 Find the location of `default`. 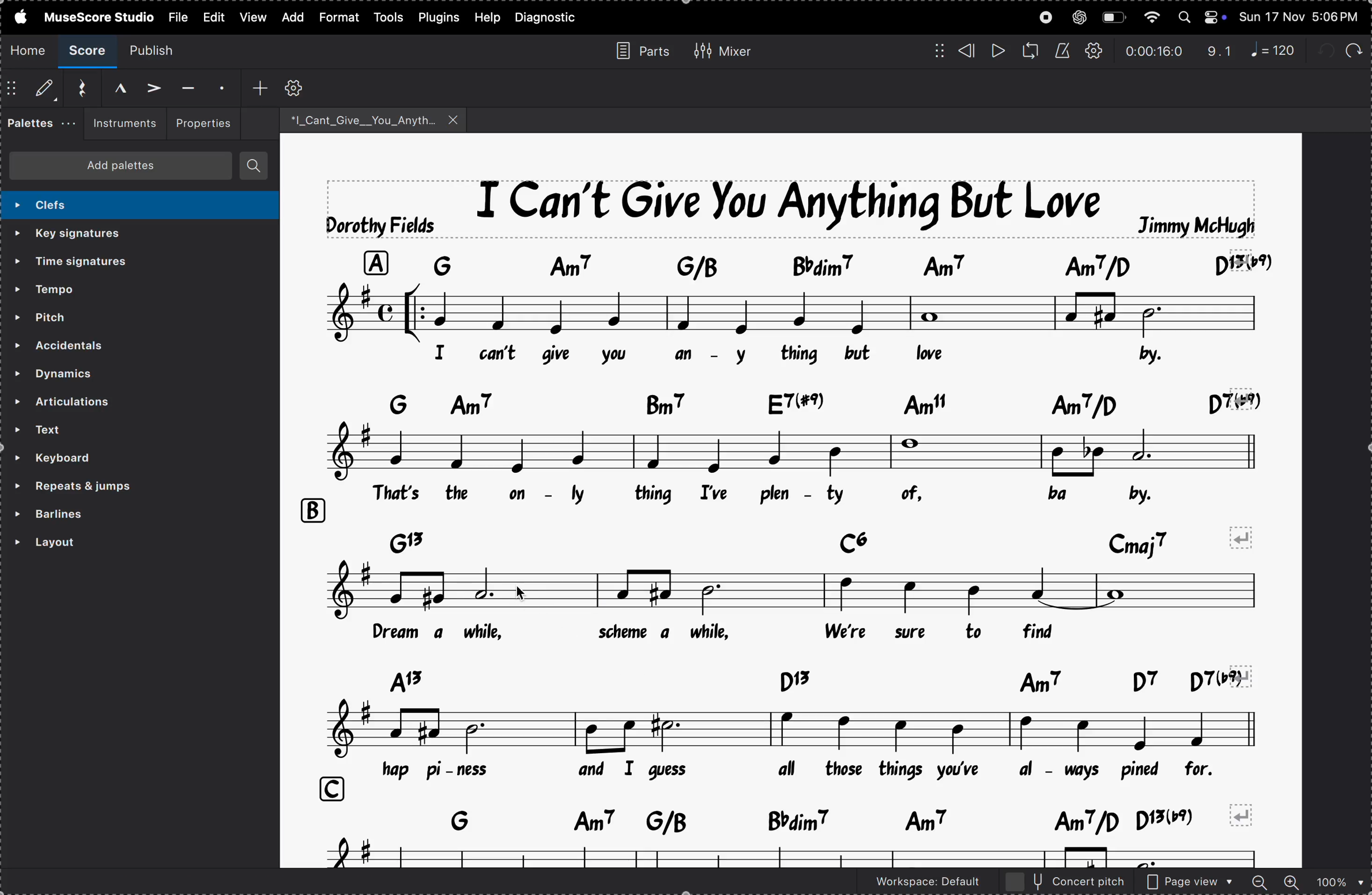

default is located at coordinates (33, 90).